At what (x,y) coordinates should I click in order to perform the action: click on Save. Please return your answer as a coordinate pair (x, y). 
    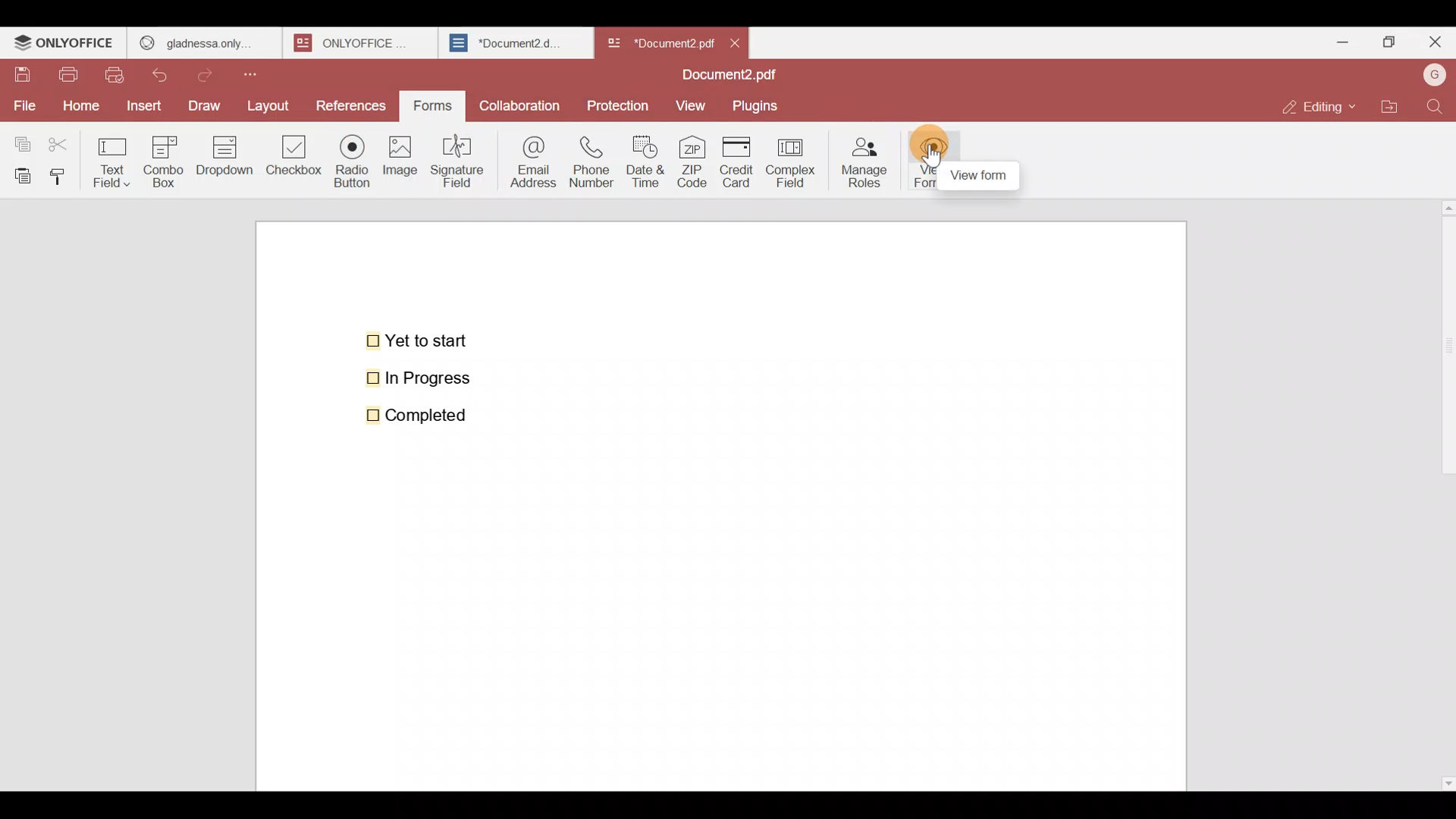
    Looking at the image, I should click on (22, 75).